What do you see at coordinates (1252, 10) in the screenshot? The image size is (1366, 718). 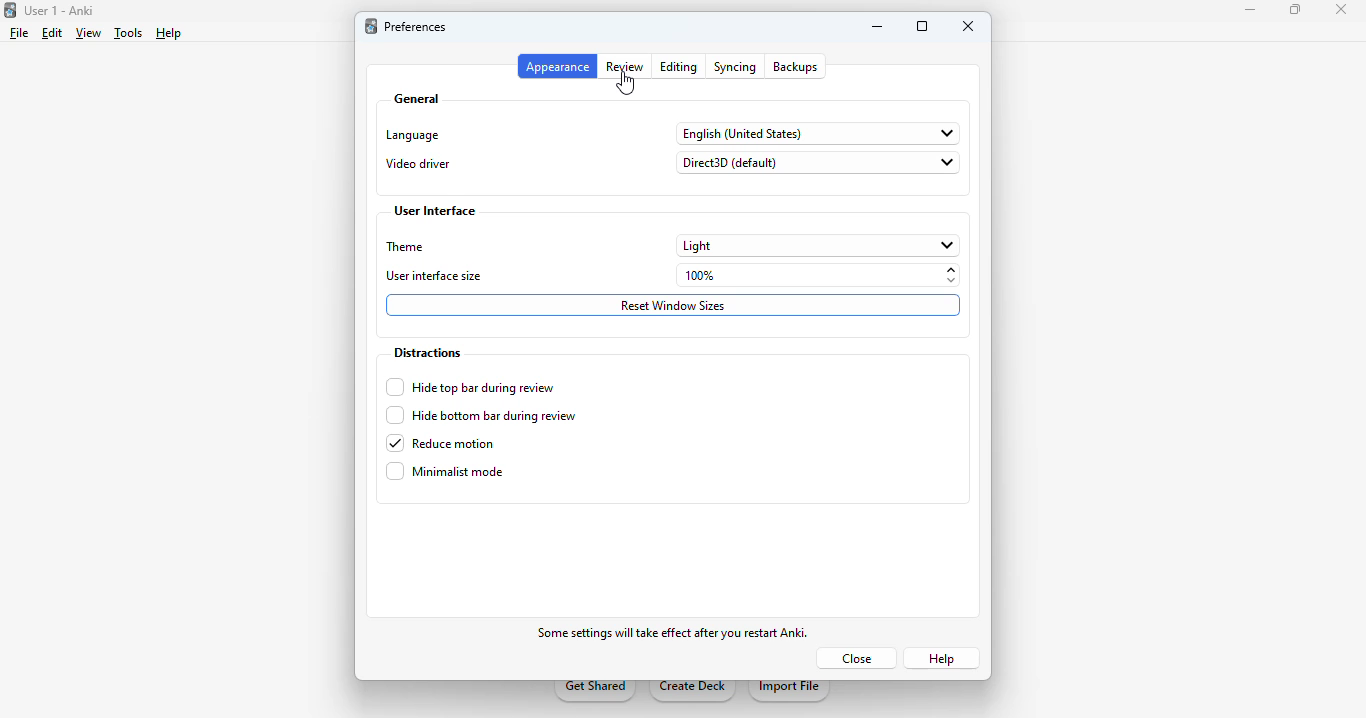 I see `minimize` at bounding box center [1252, 10].